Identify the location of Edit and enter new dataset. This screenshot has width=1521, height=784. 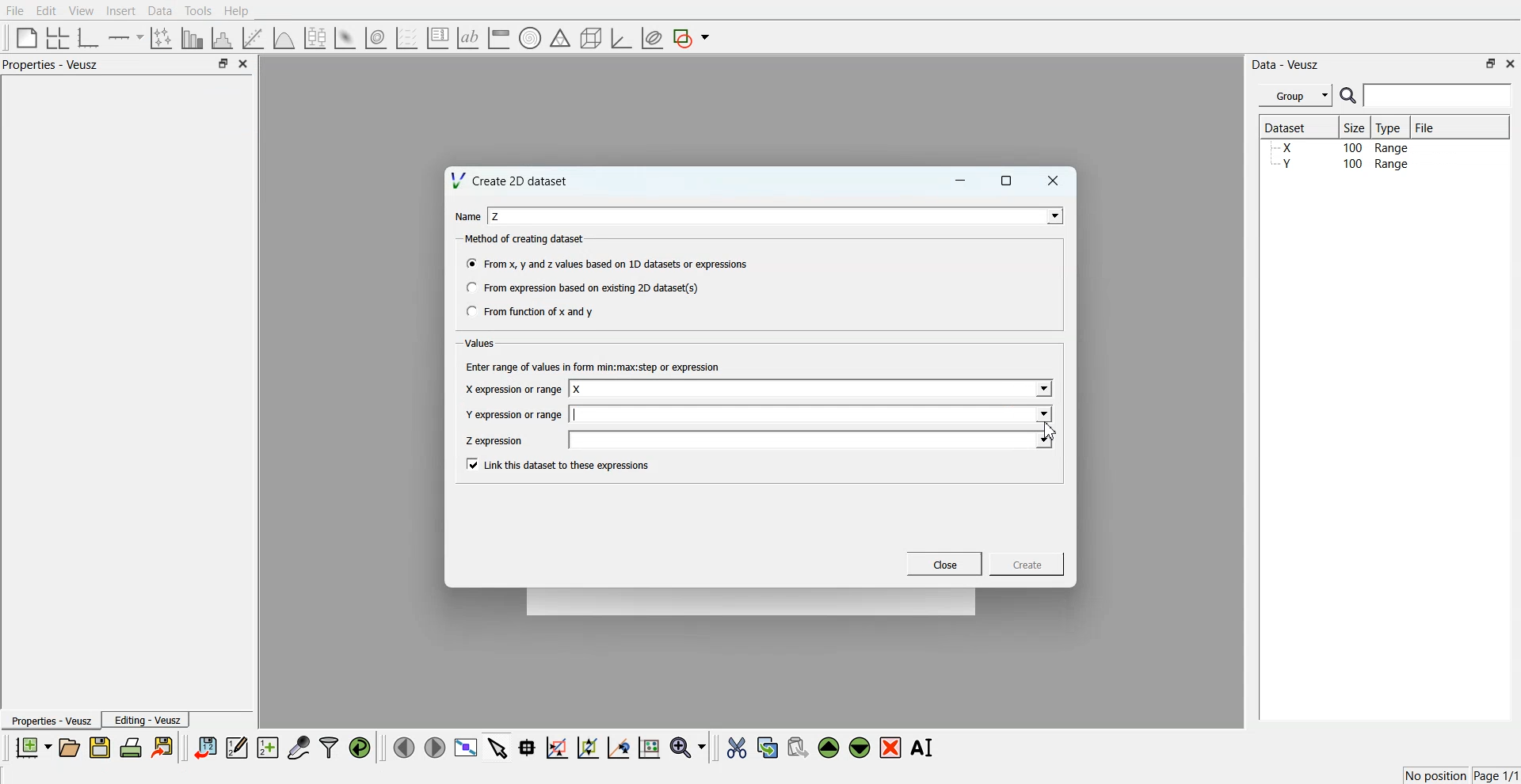
(236, 747).